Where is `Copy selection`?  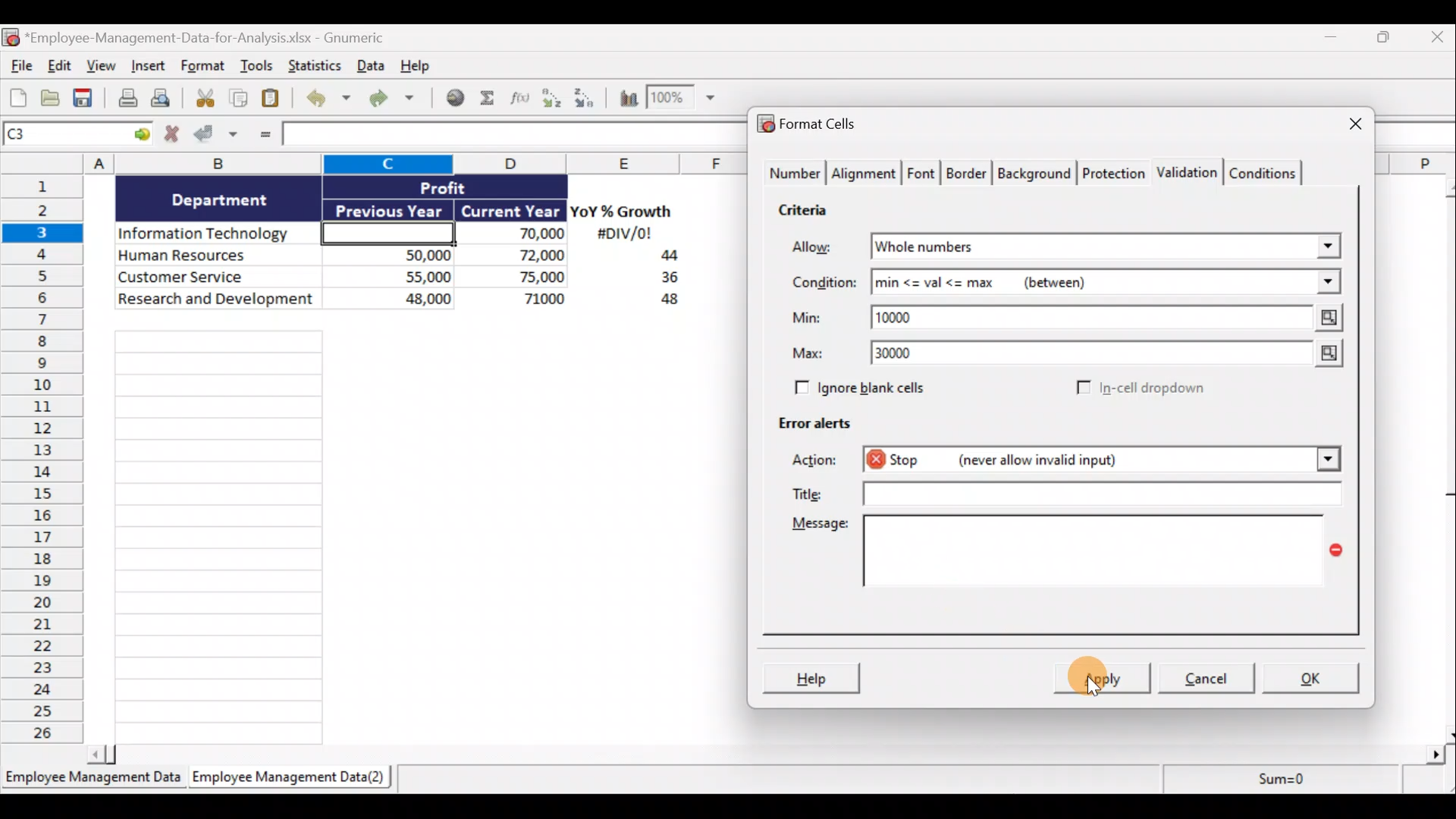 Copy selection is located at coordinates (239, 99).